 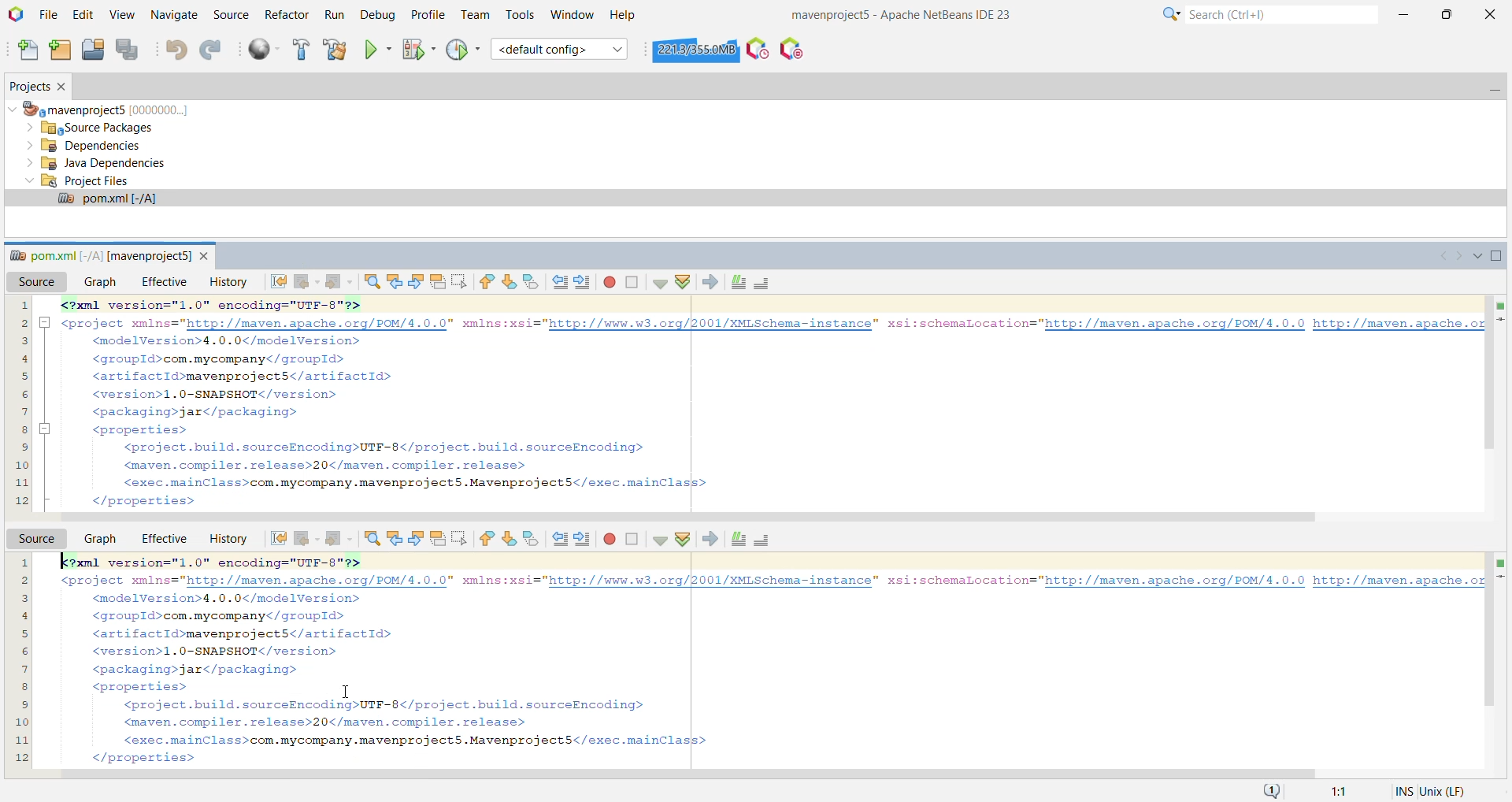 What do you see at coordinates (762, 540) in the screenshot?
I see `Uncomment` at bounding box center [762, 540].